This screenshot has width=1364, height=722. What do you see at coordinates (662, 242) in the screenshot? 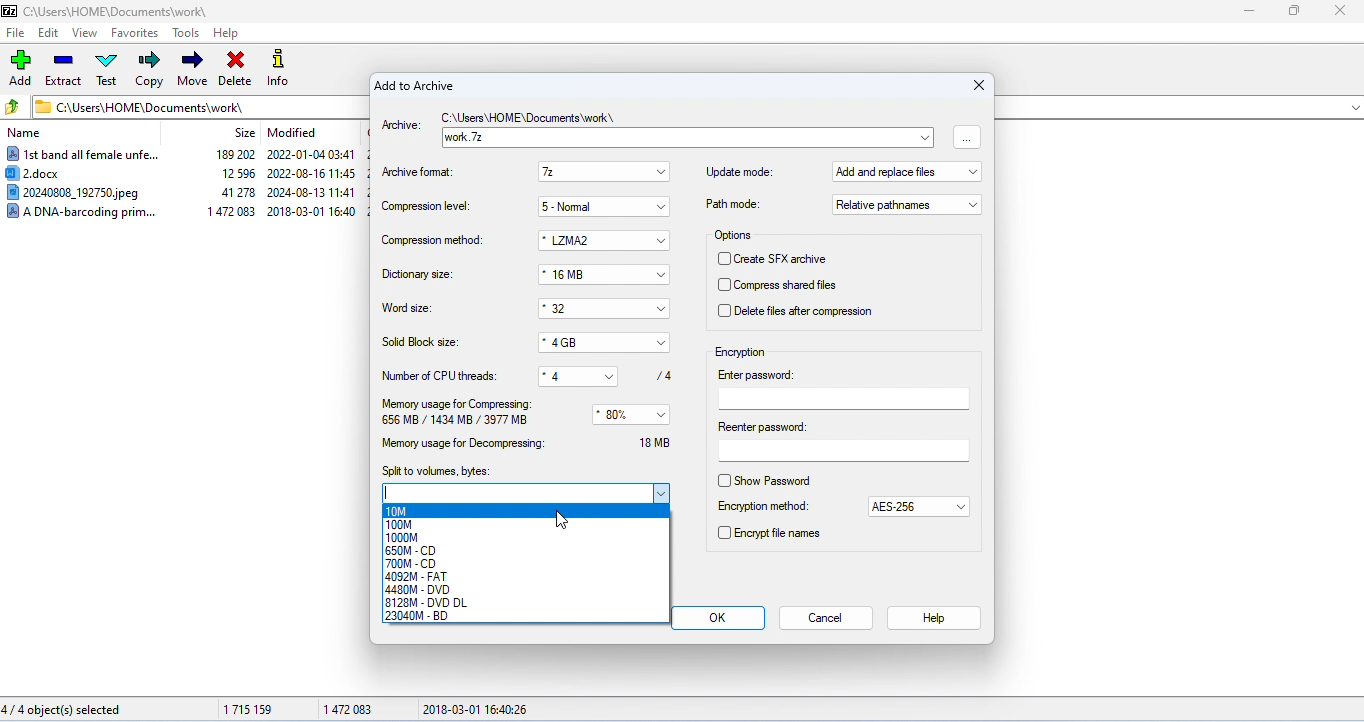
I see `drop down` at bounding box center [662, 242].